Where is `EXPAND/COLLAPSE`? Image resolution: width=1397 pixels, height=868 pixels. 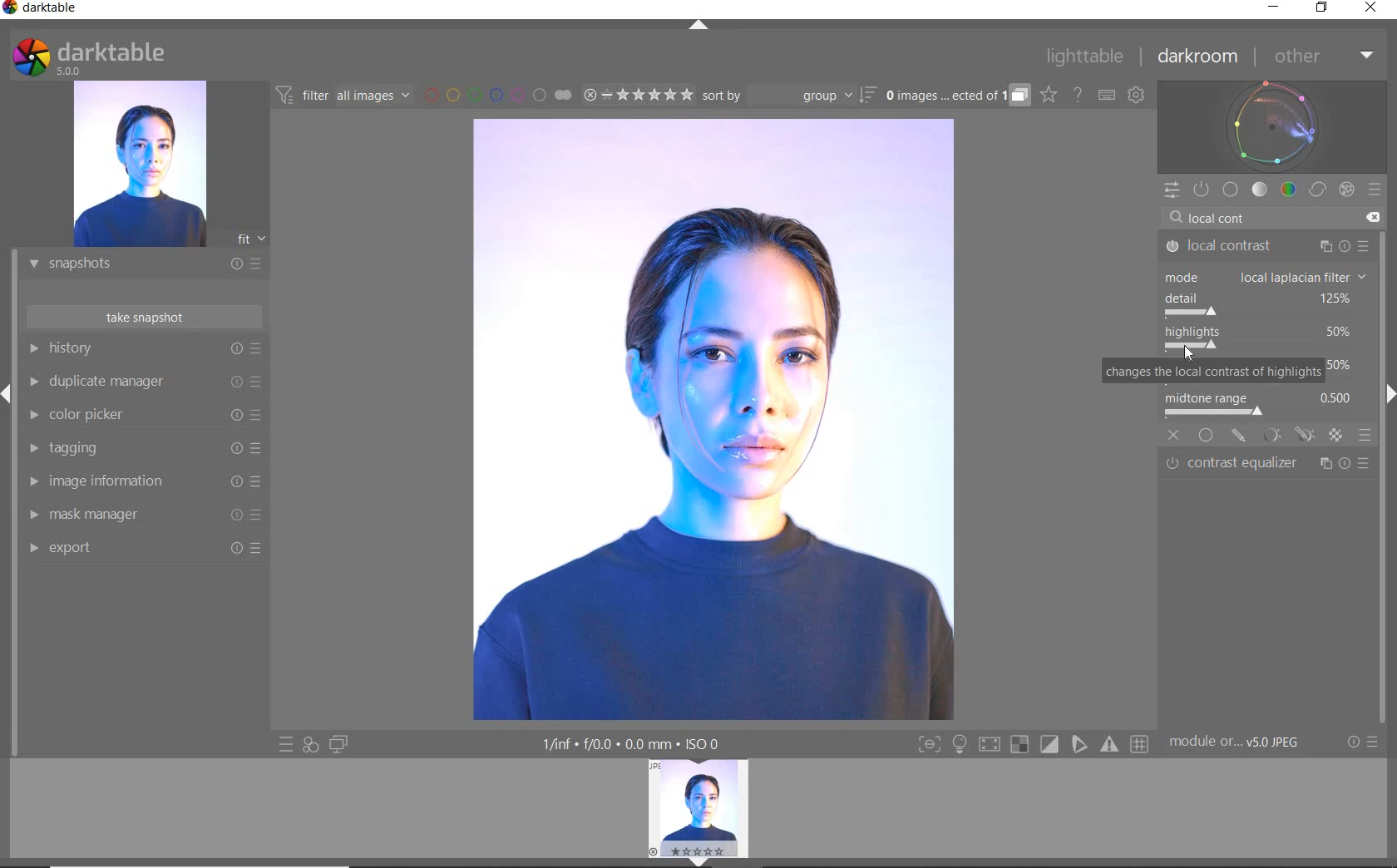
EXPAND/COLLAPSE is located at coordinates (701, 27).